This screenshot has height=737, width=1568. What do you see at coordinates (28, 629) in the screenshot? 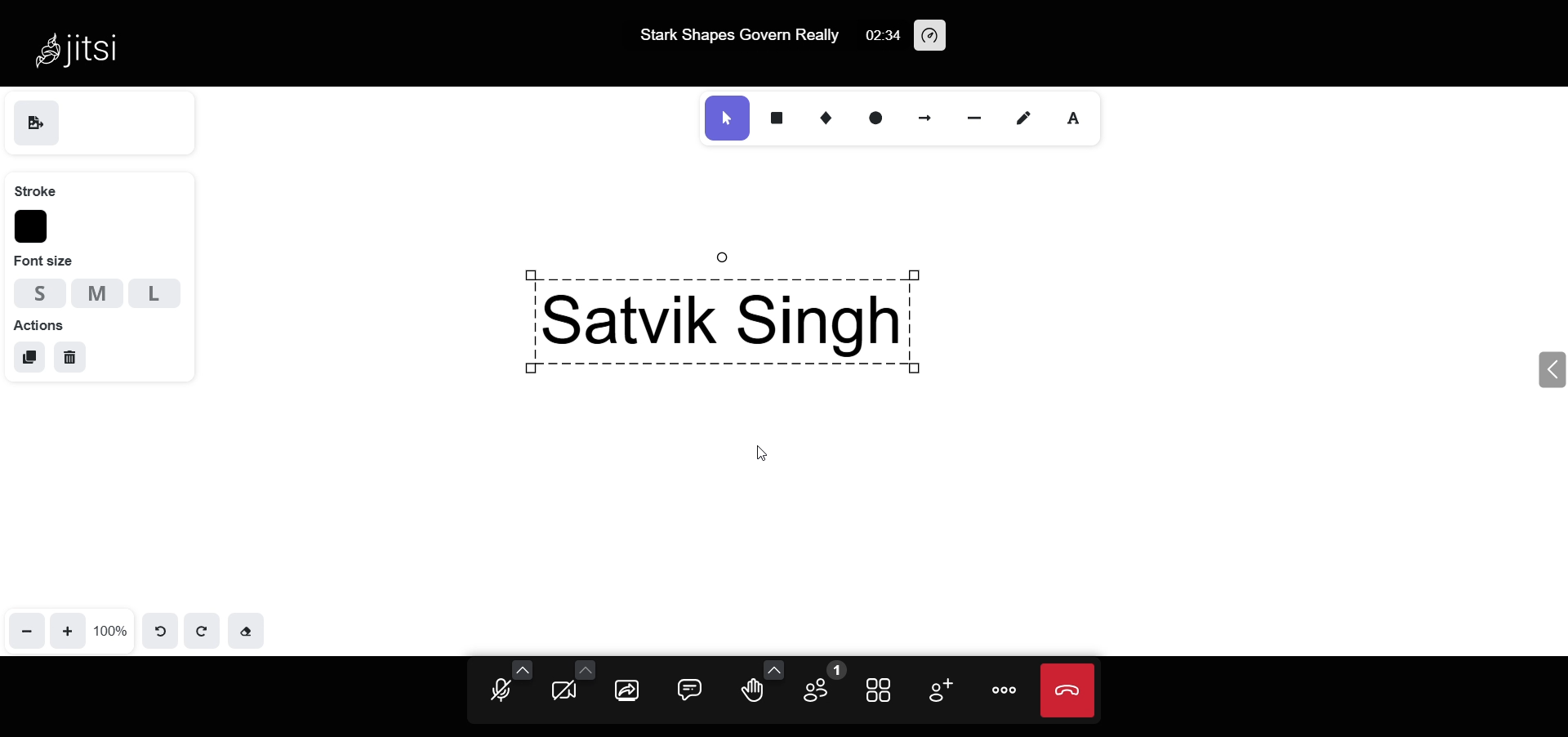
I see `zoom out` at bounding box center [28, 629].